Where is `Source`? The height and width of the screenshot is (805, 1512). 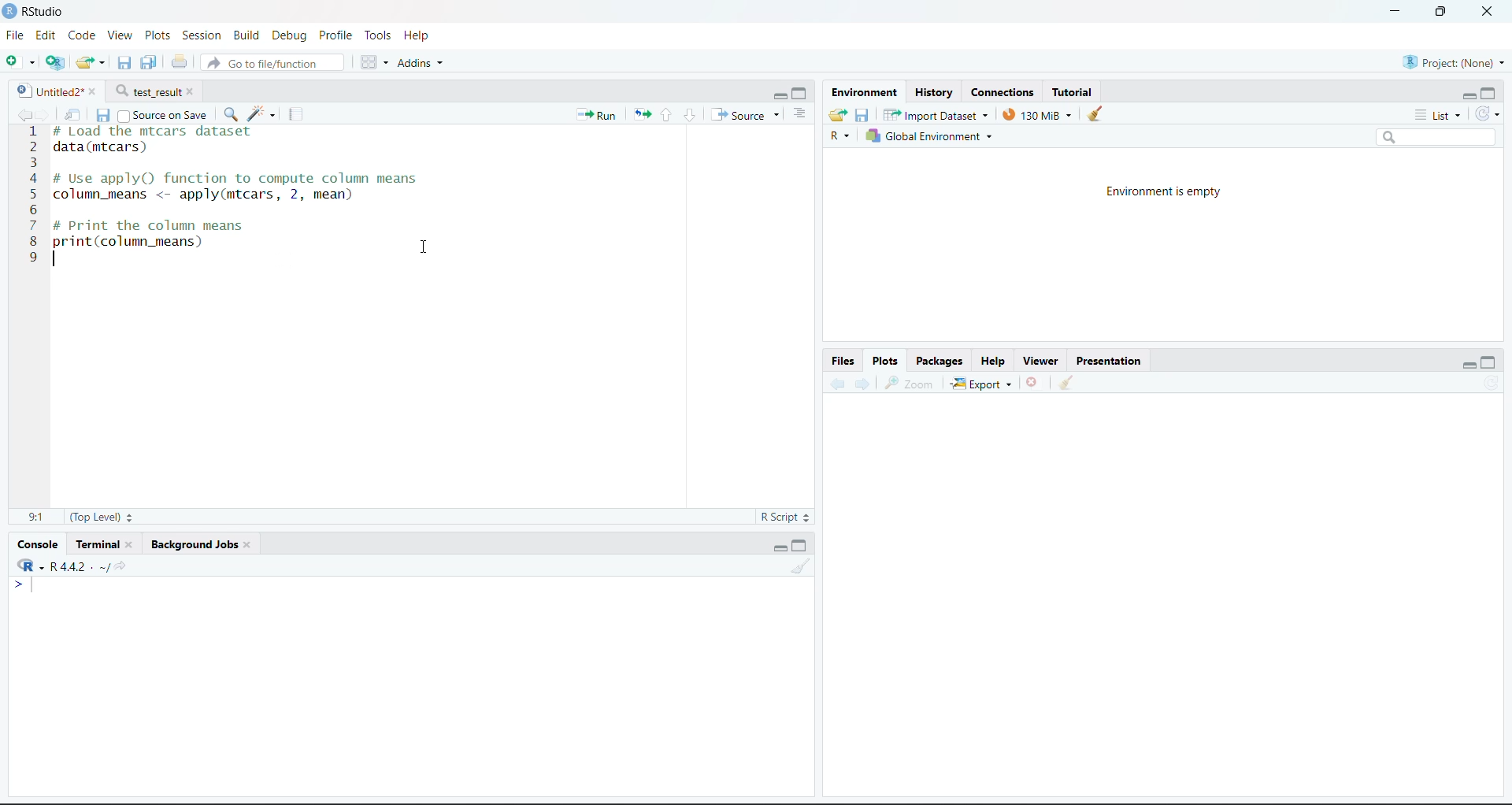 Source is located at coordinates (744, 114).